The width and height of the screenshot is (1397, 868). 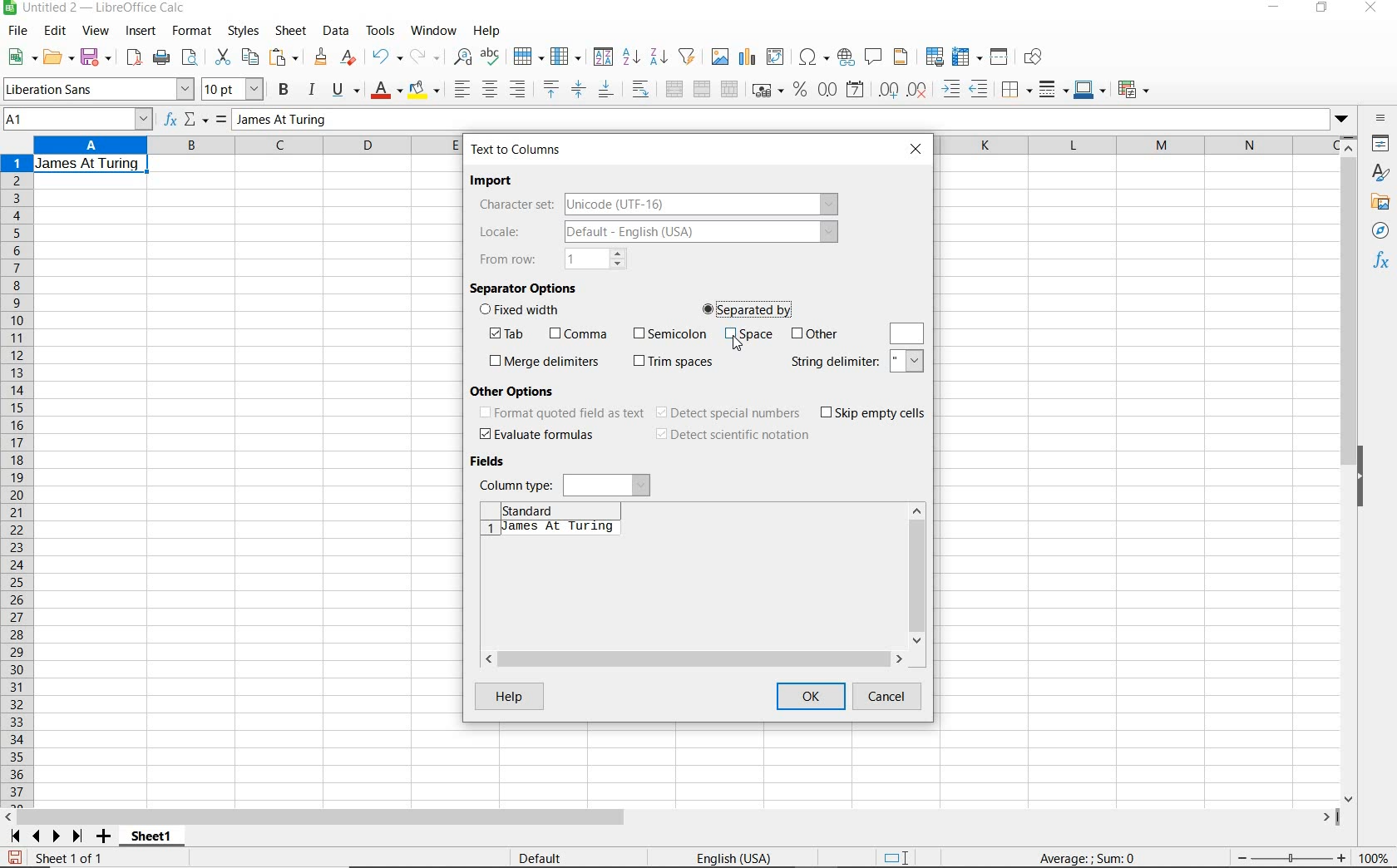 I want to click on autofilter, so click(x=687, y=57).